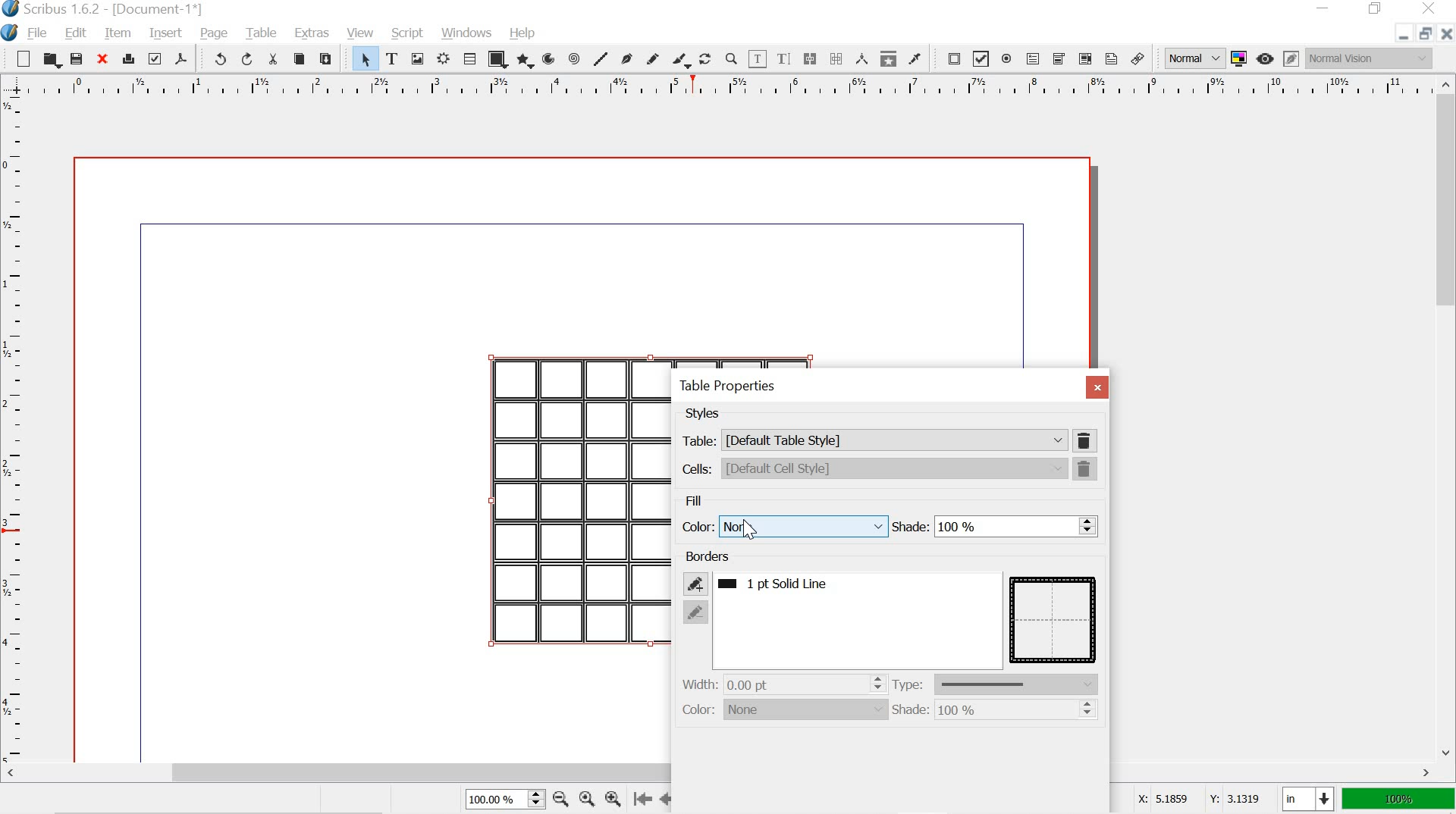 This screenshot has height=814, width=1456. What do you see at coordinates (708, 556) in the screenshot?
I see `borders` at bounding box center [708, 556].